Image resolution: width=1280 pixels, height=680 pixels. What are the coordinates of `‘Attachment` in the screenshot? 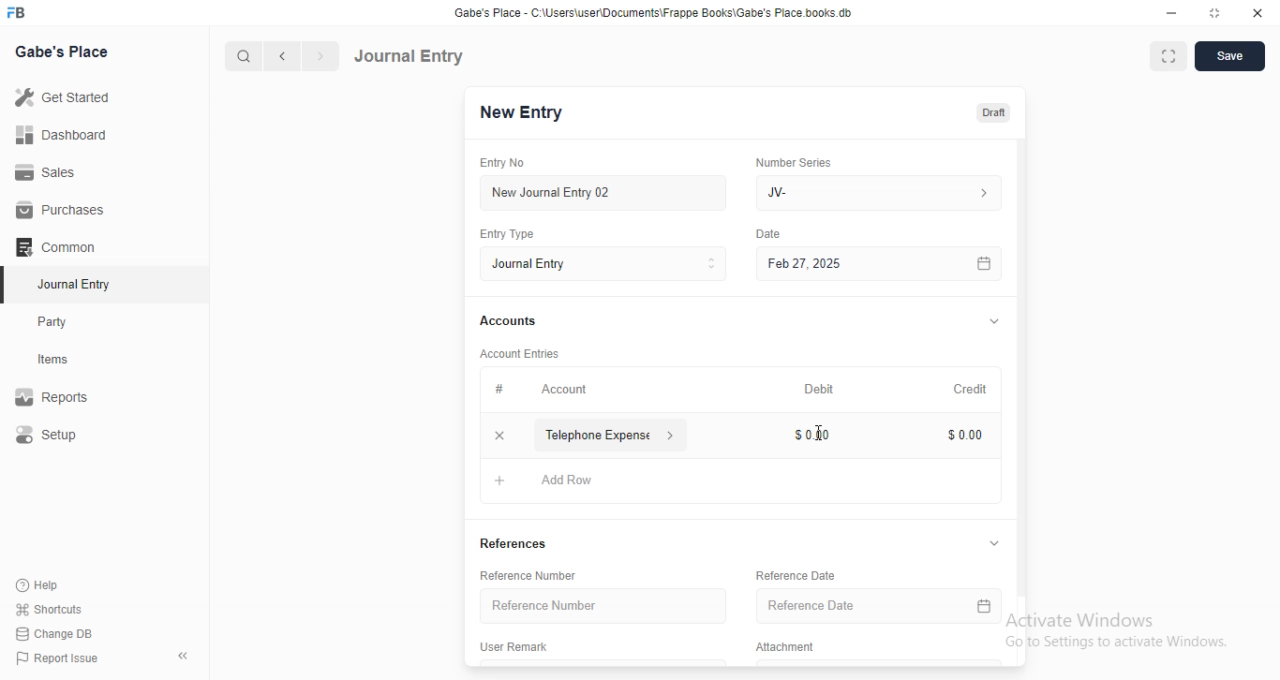 It's located at (783, 646).